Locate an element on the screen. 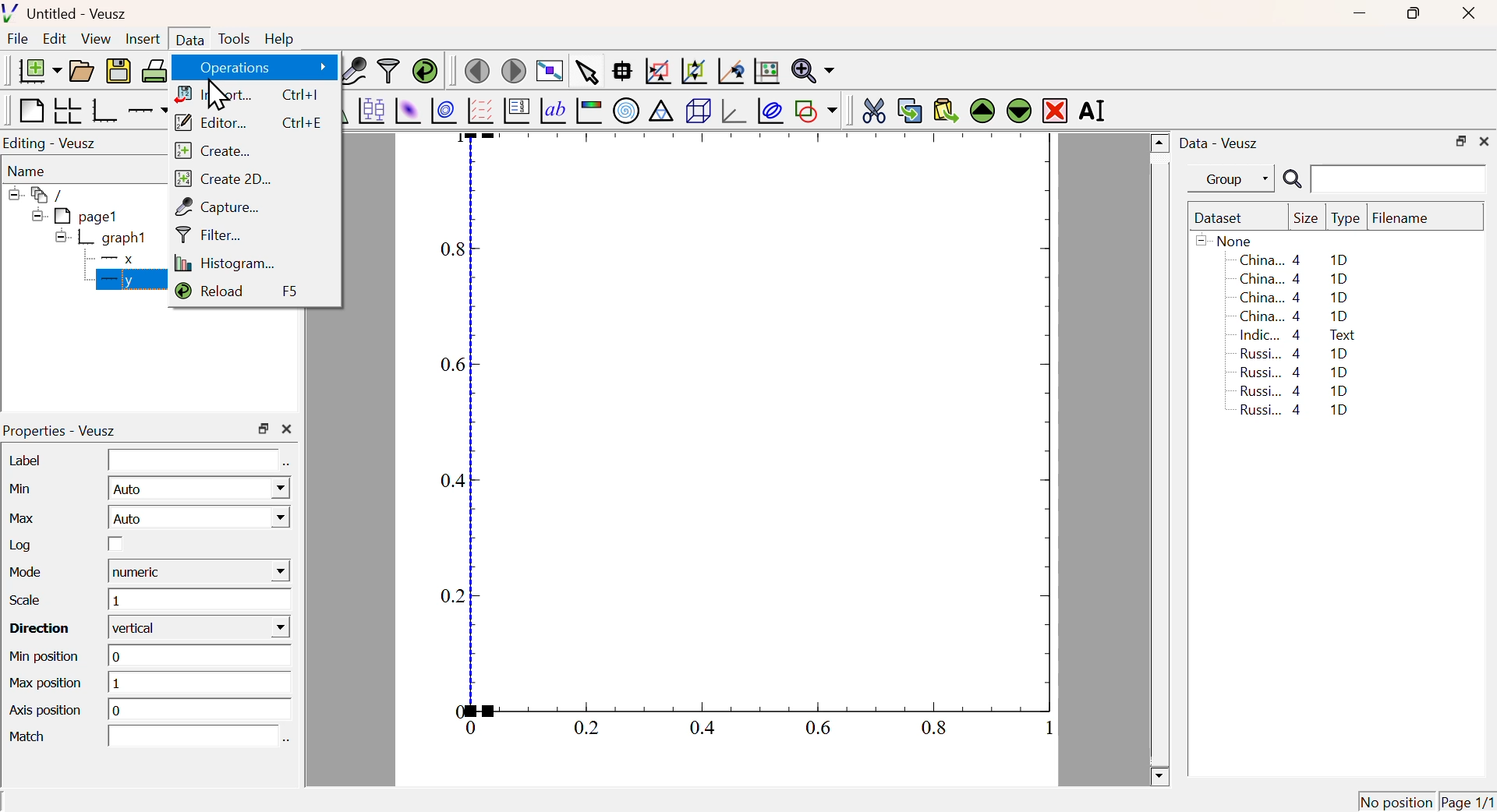  Move Up is located at coordinates (984, 111).